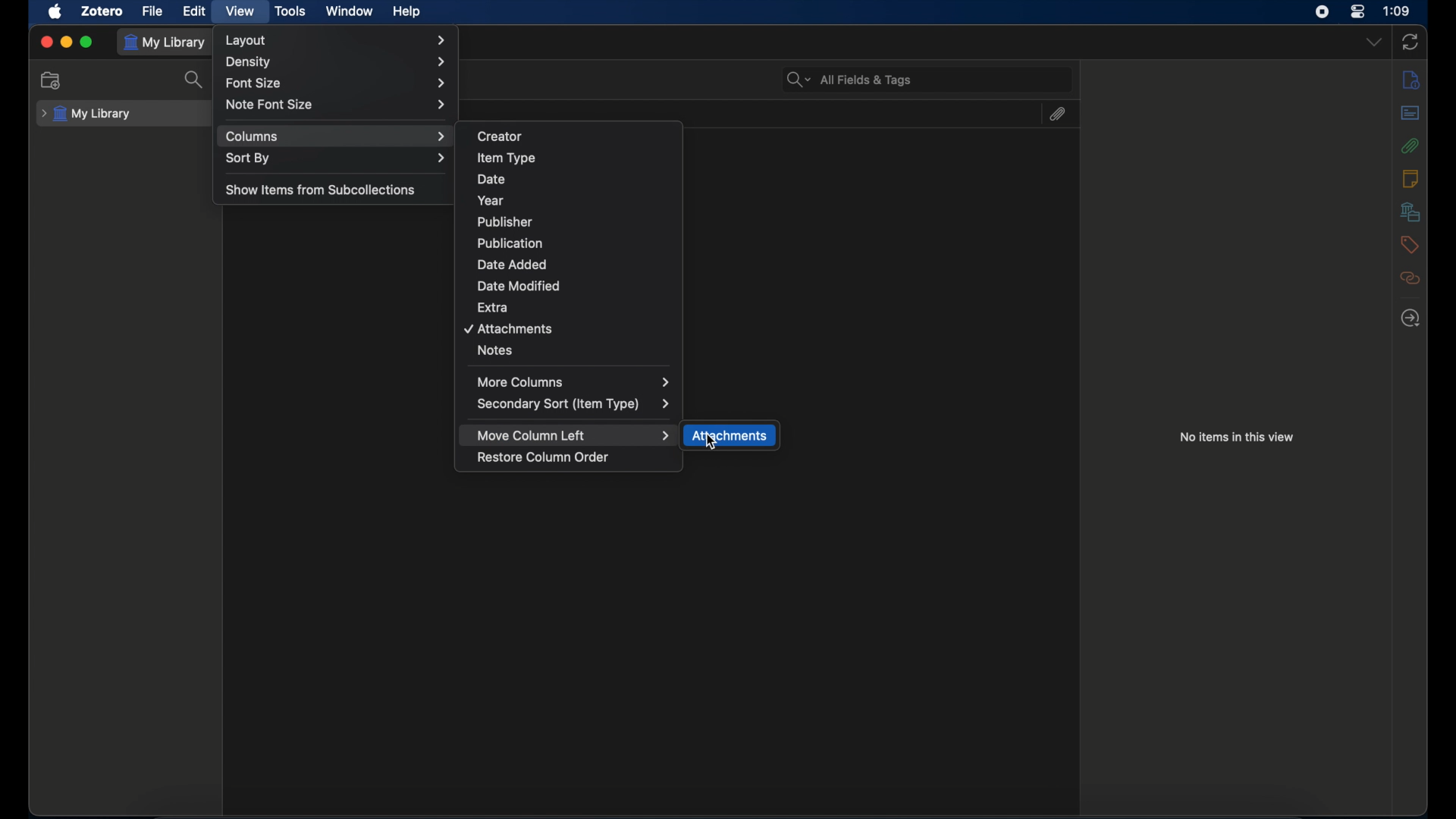  Describe the element at coordinates (506, 222) in the screenshot. I see `publisher` at that location.